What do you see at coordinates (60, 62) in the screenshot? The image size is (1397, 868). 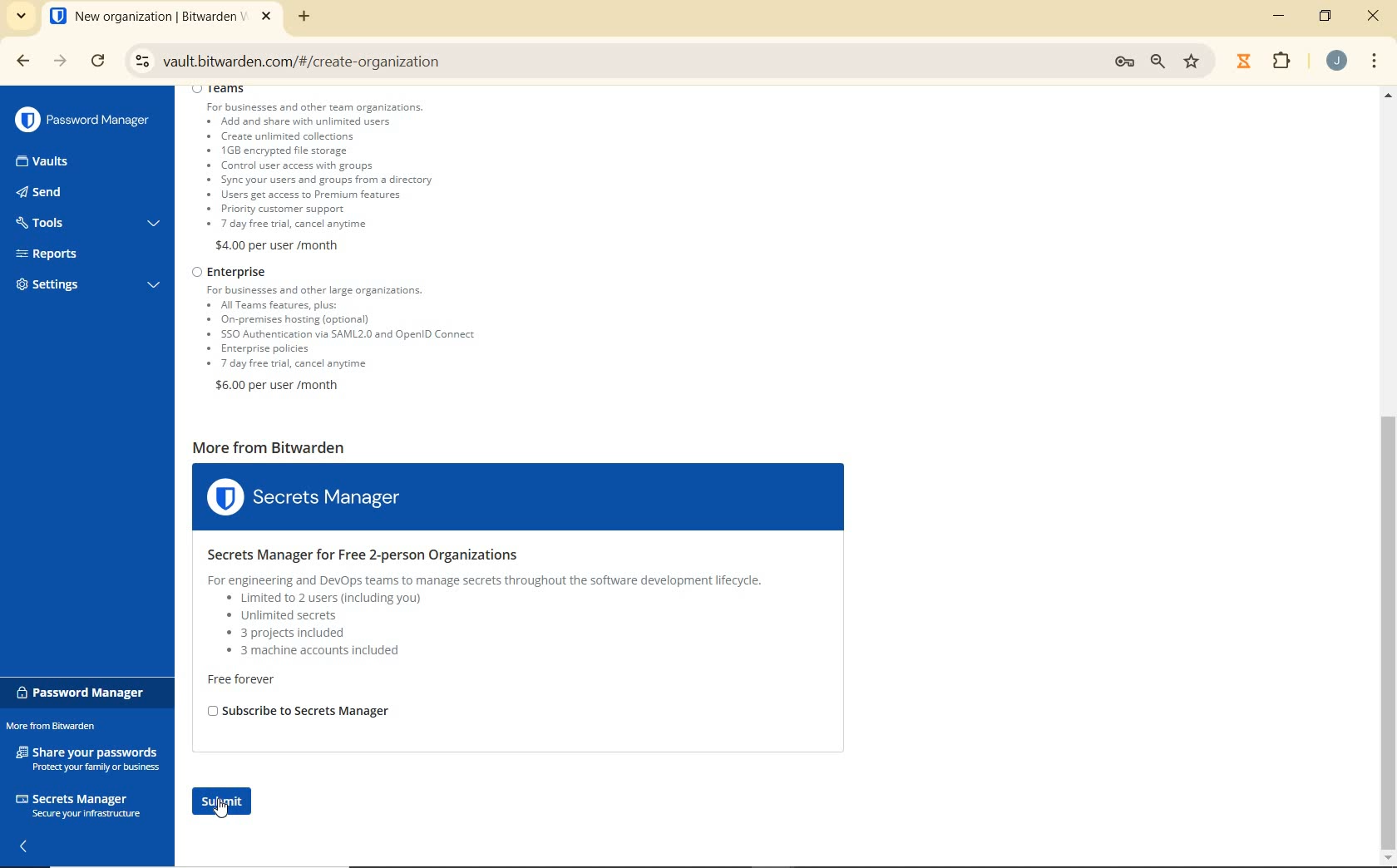 I see `FORWARD` at bounding box center [60, 62].